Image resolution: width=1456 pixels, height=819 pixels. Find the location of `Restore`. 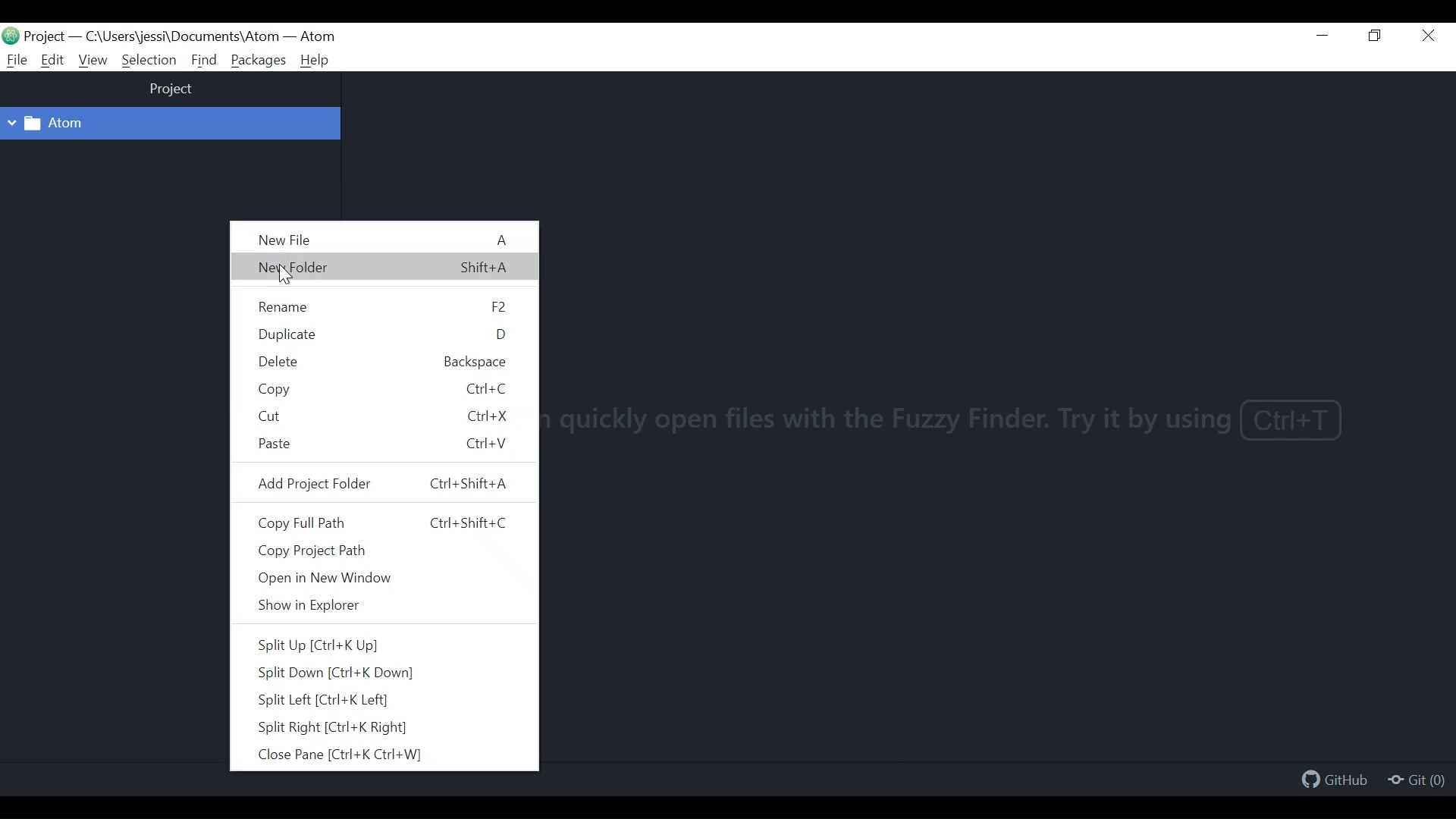

Restore is located at coordinates (1377, 36).